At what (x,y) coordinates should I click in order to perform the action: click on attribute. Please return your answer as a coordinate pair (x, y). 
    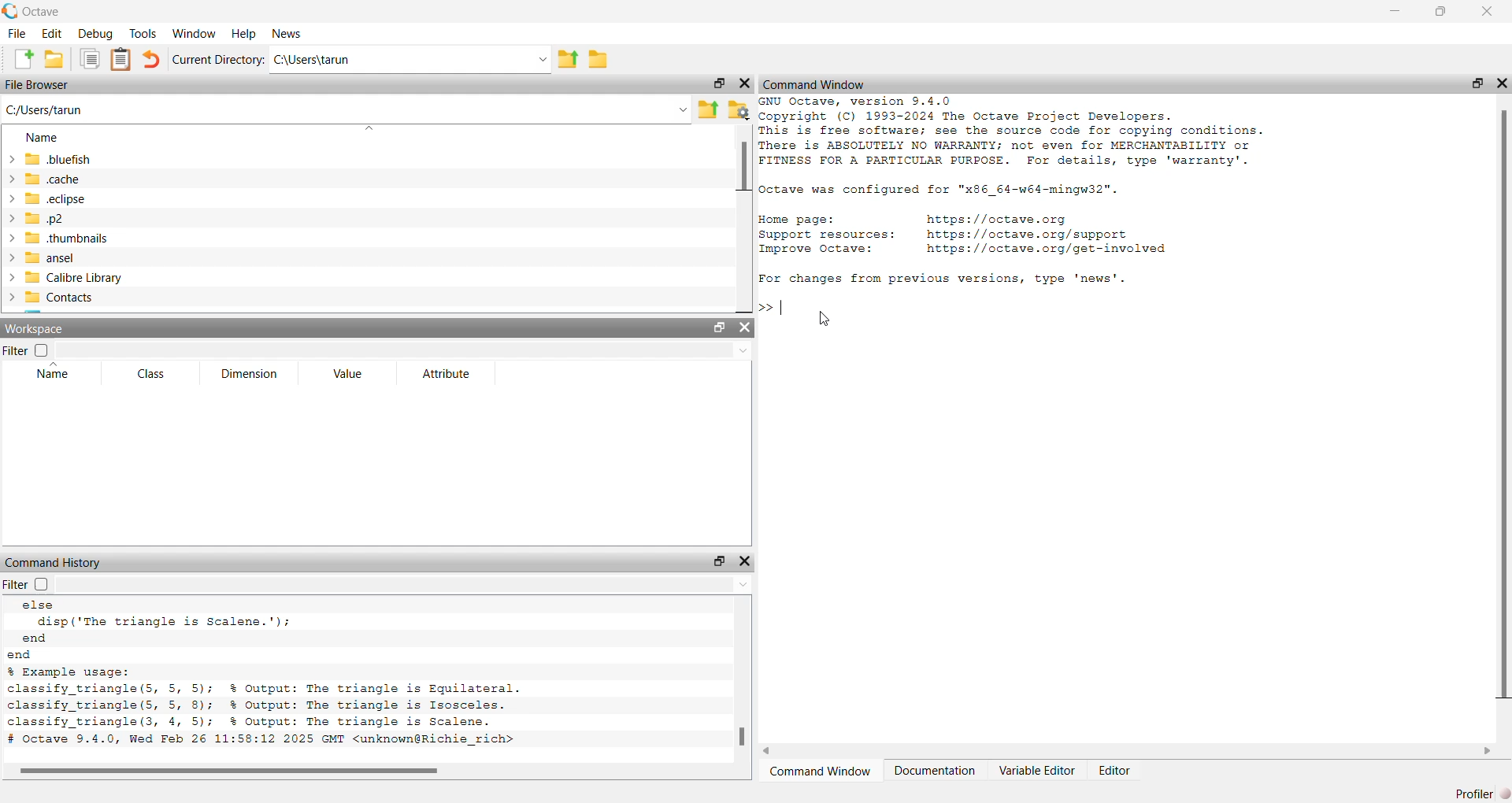
    Looking at the image, I should click on (444, 374).